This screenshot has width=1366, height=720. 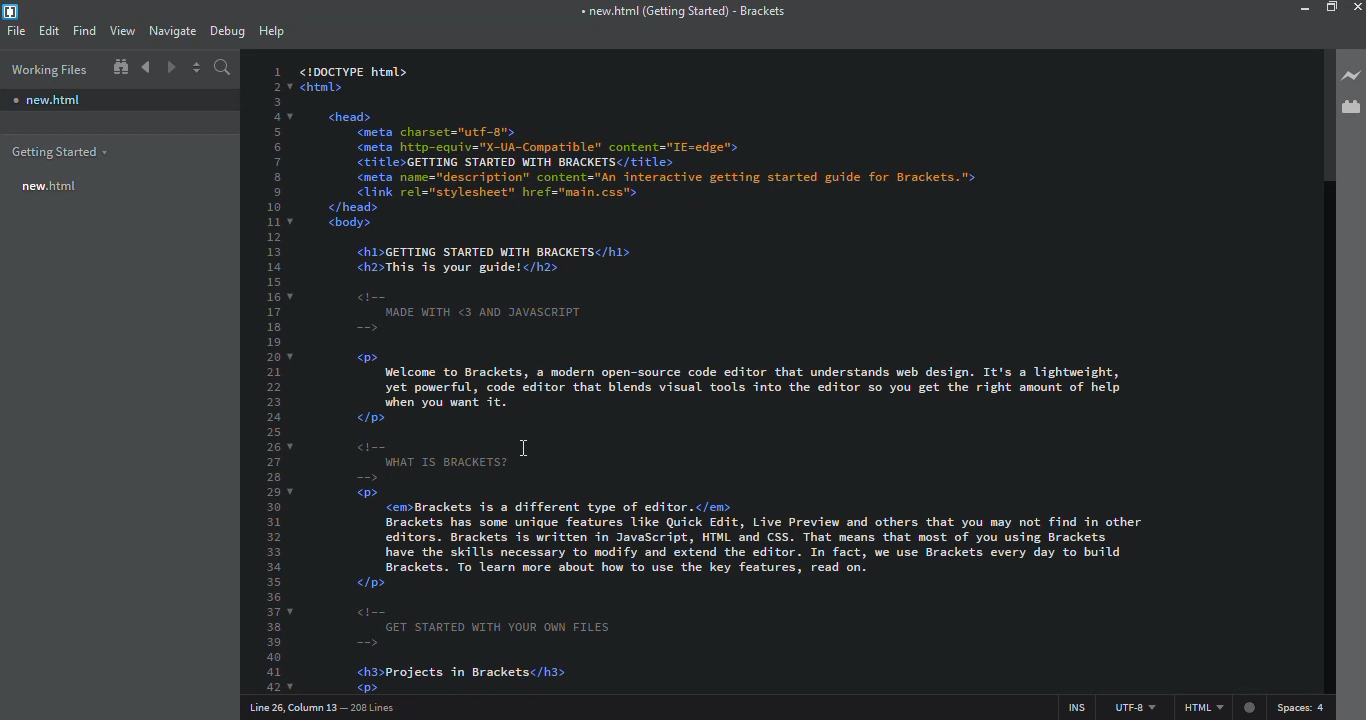 I want to click on debug, so click(x=228, y=31).